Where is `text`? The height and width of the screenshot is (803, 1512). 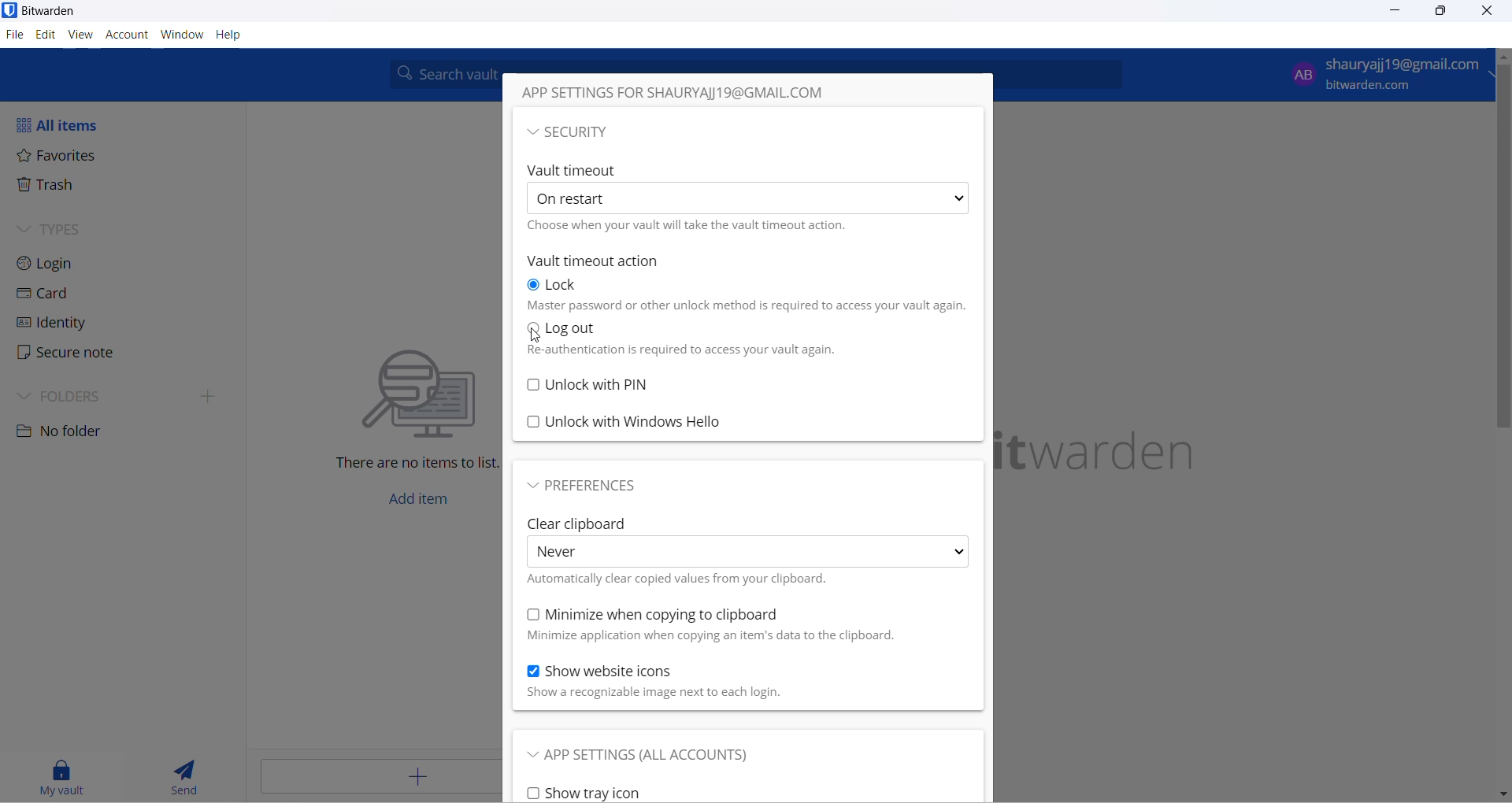 text is located at coordinates (710, 637).